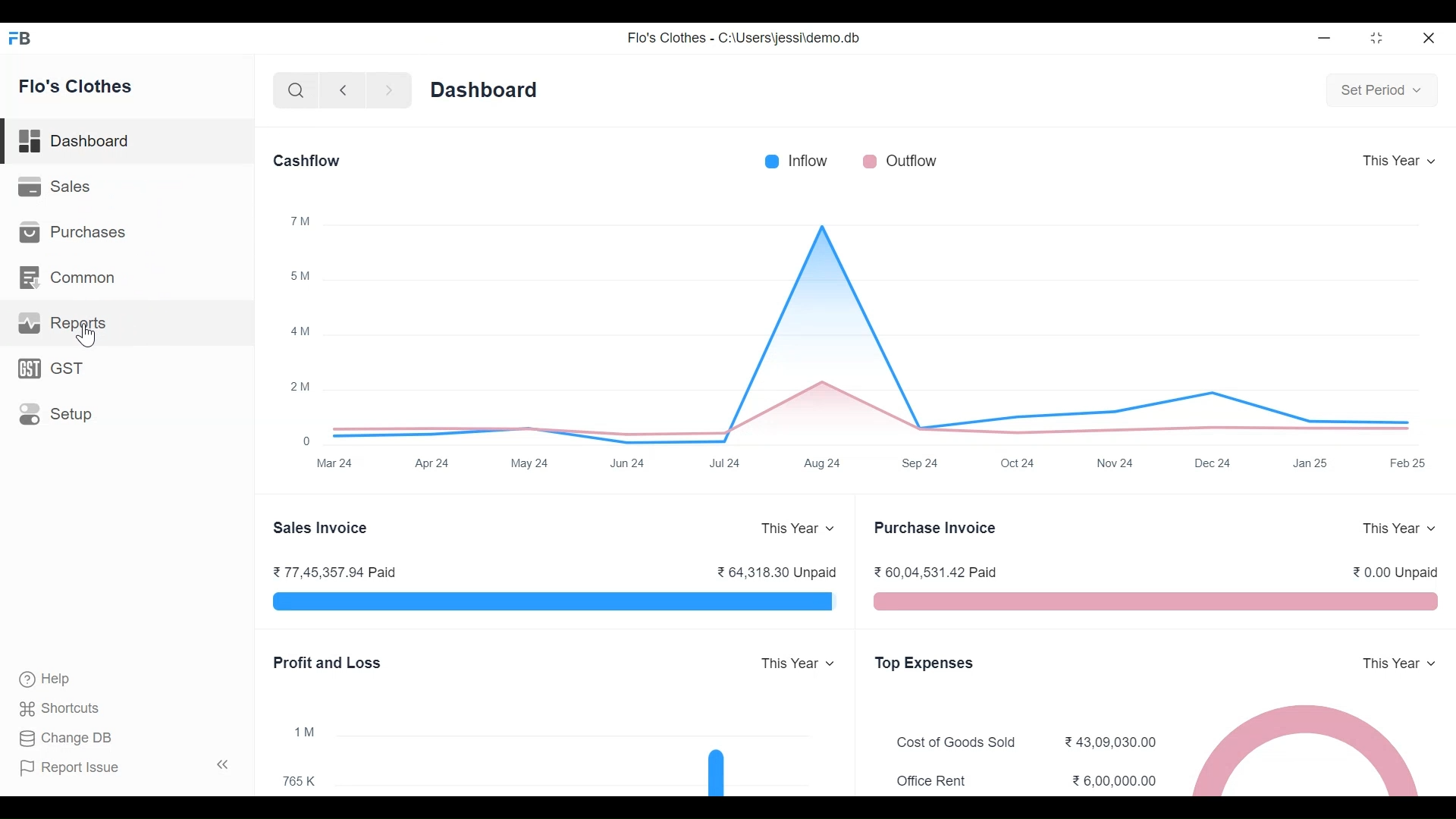 The height and width of the screenshot is (819, 1456). Describe the element at coordinates (330, 663) in the screenshot. I see `Profit and Loss` at that location.